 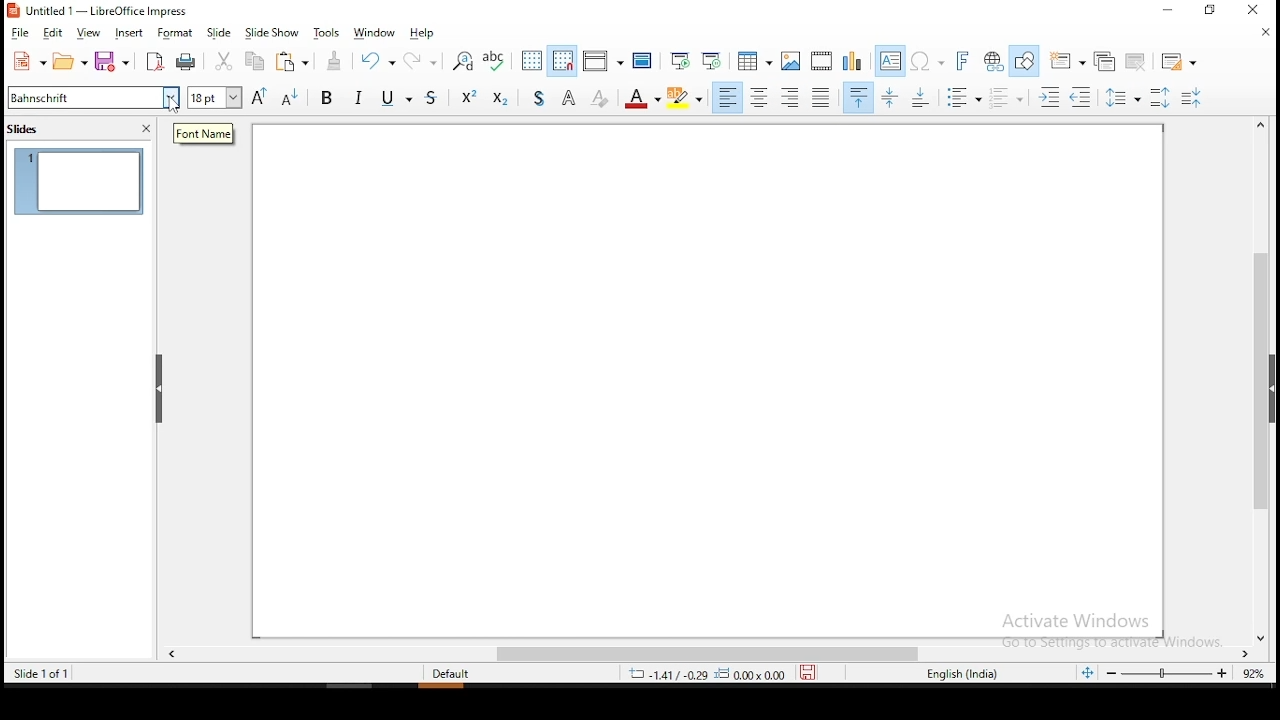 I want to click on decrease paragraph spacing, so click(x=1008, y=98).